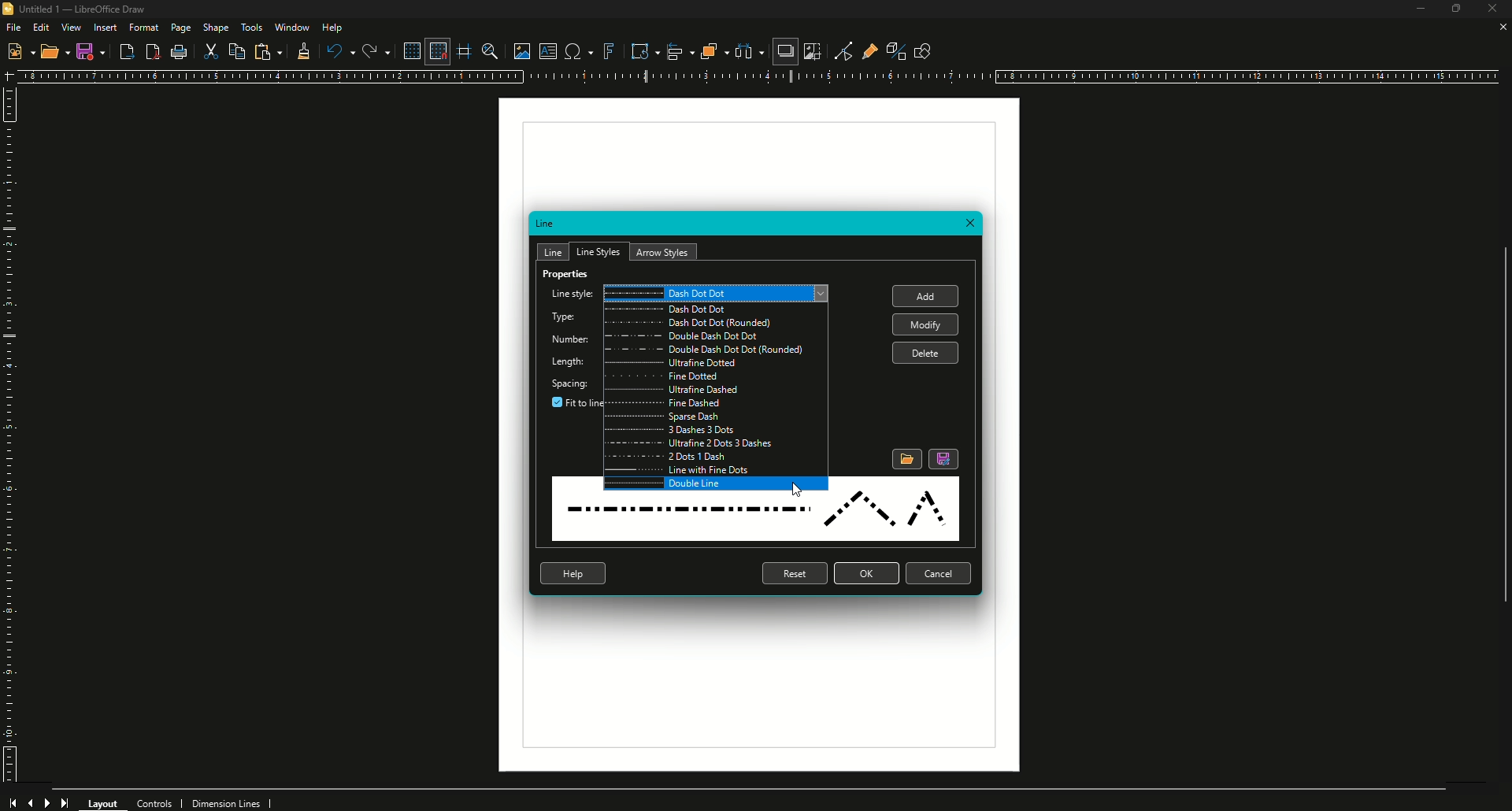 This screenshot has height=811, width=1512. What do you see at coordinates (546, 51) in the screenshot?
I see `Insert Text Box` at bounding box center [546, 51].